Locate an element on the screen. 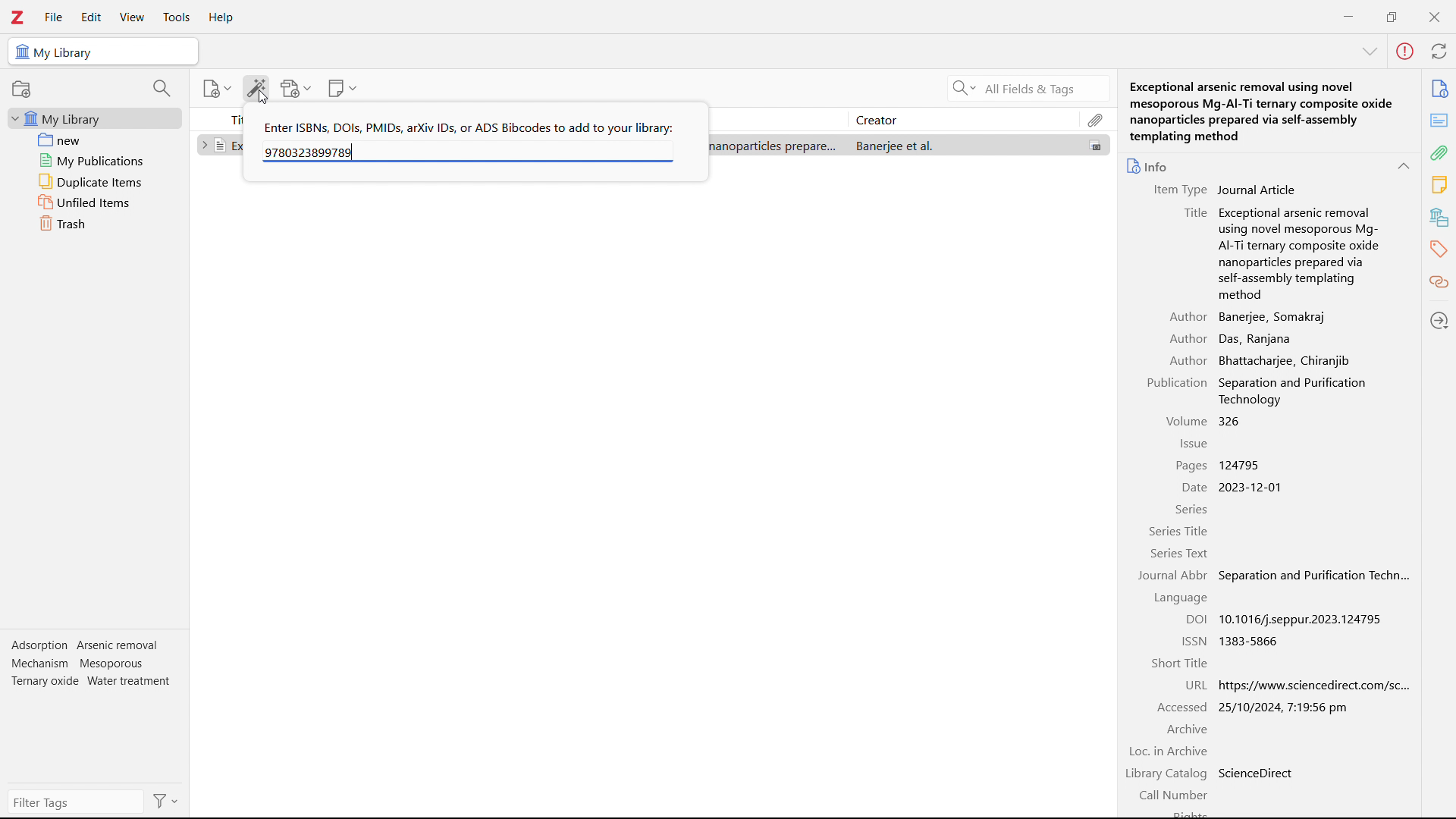  Exceptional arsenic removal using novel Mesoporous Mg-Al-Ti ternary composite oxides nanoparticles prepared via Self-Assembly templating method is located at coordinates (1301, 253).